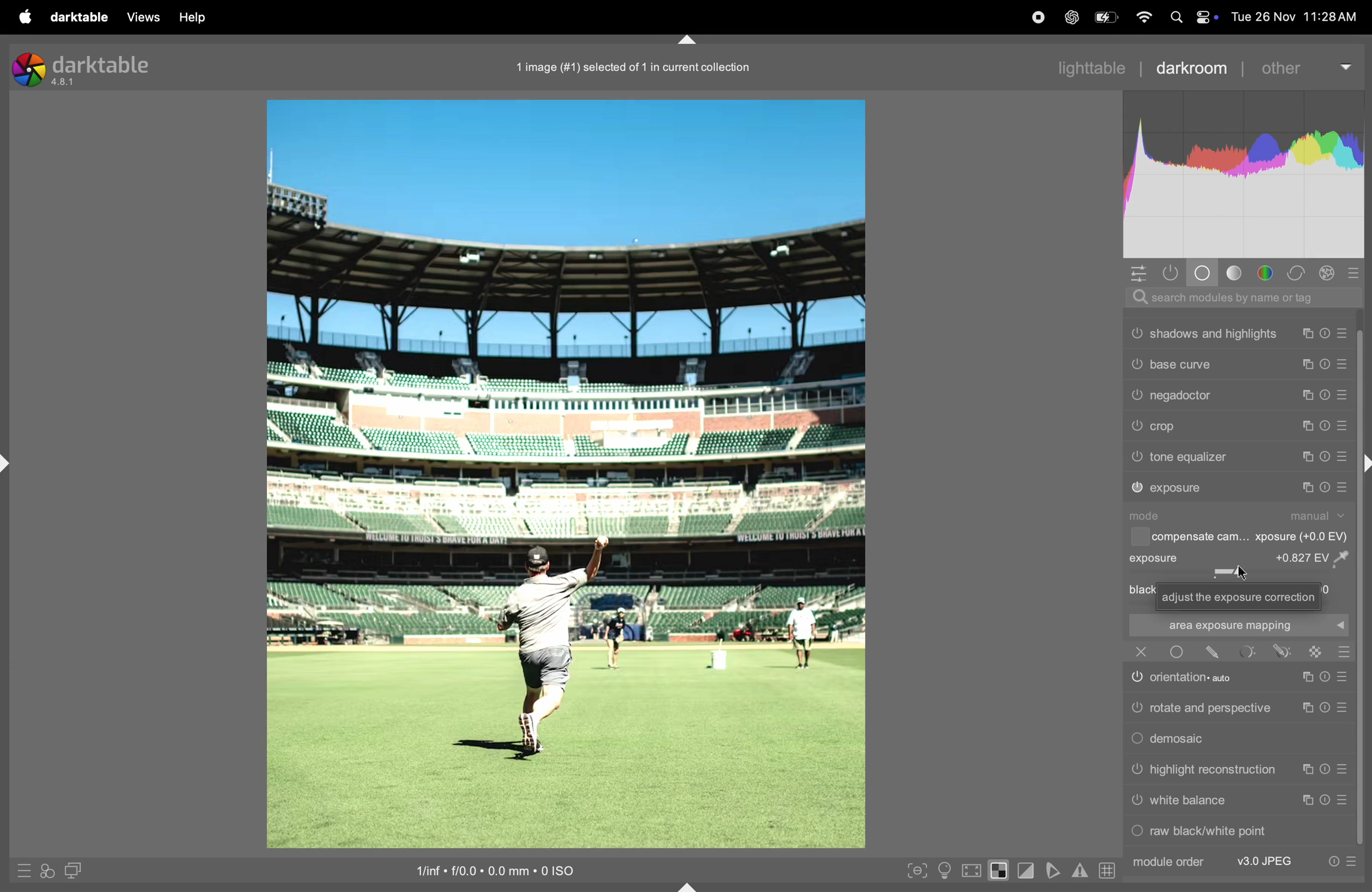 This screenshot has width=1372, height=892. What do you see at coordinates (1215, 770) in the screenshot?
I see `highlight reconstruction` at bounding box center [1215, 770].